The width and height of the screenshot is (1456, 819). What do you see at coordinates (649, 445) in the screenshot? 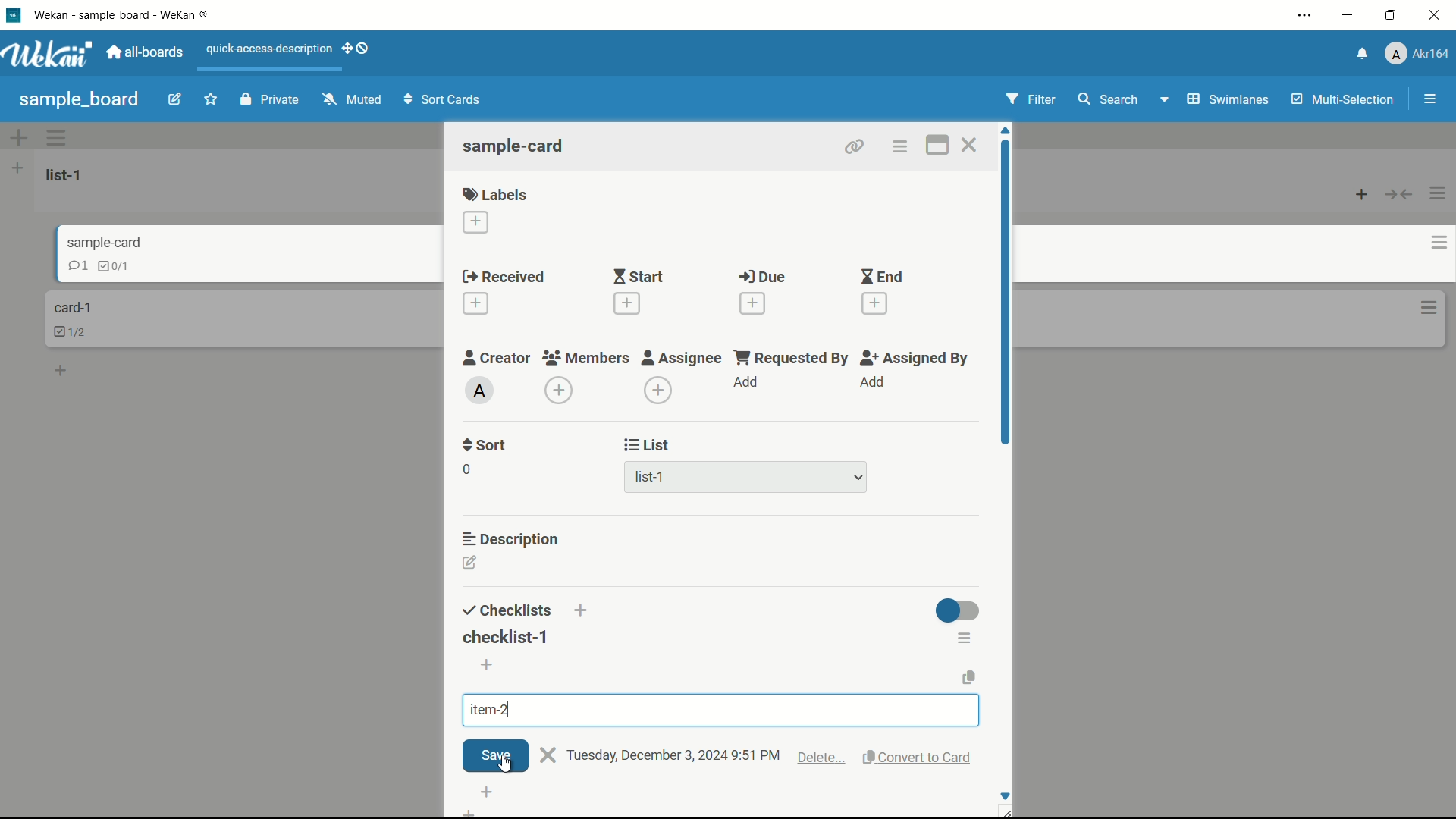
I see `list` at bounding box center [649, 445].